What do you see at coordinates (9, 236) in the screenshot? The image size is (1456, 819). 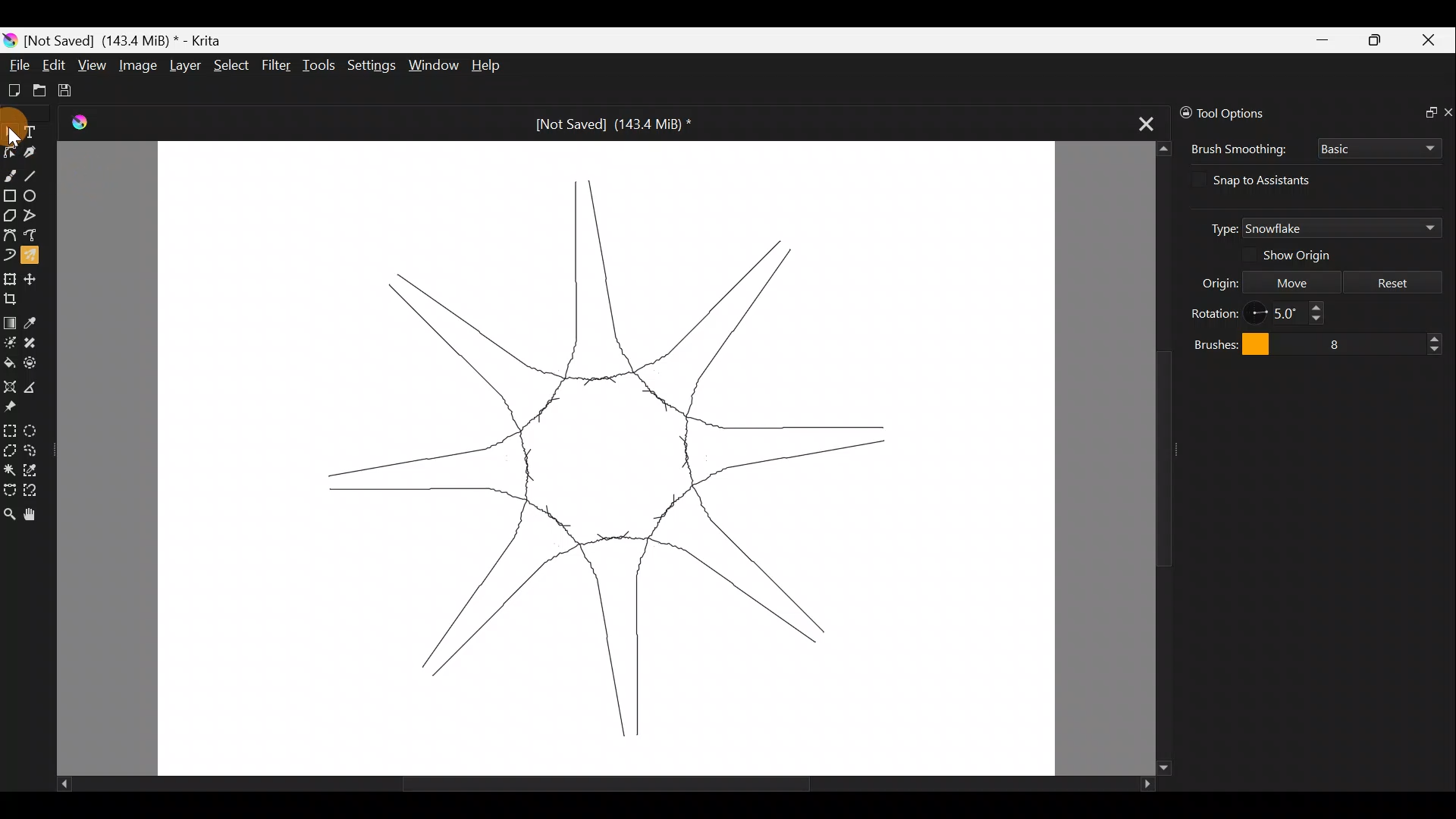 I see `Bezier curve tool` at bounding box center [9, 236].